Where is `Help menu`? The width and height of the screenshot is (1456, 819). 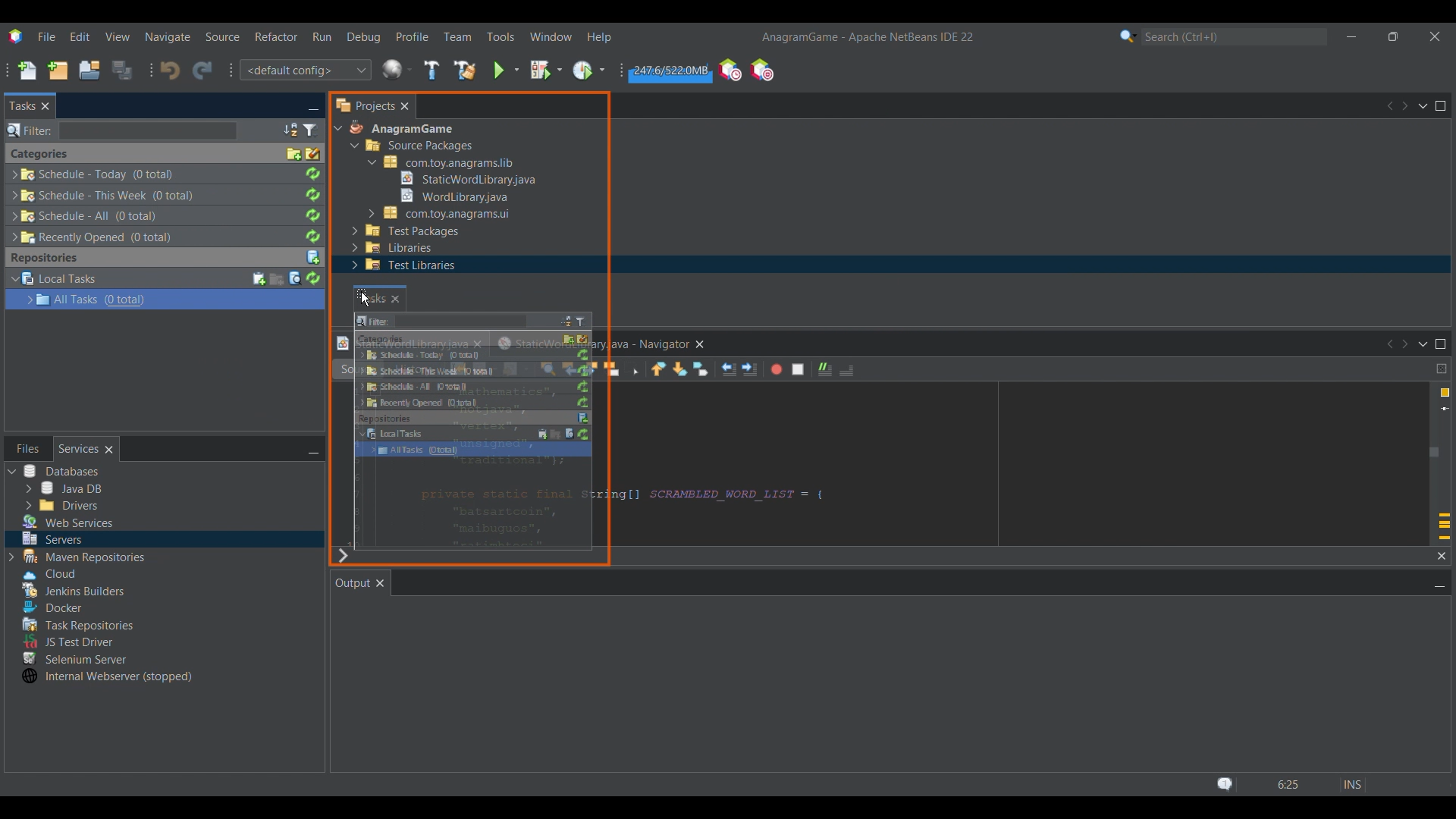 Help menu is located at coordinates (599, 37).